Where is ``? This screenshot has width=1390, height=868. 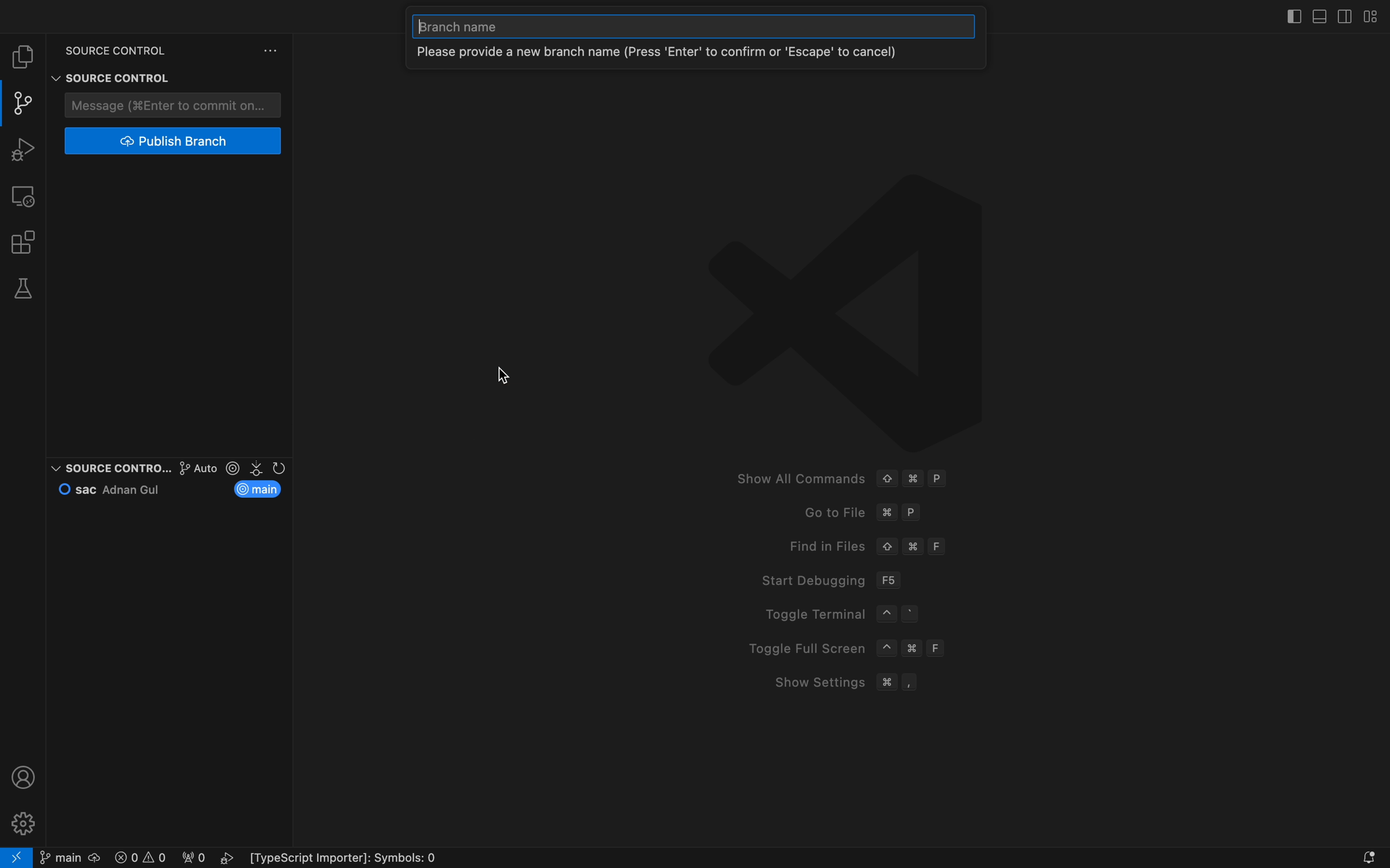
 is located at coordinates (271, 49).